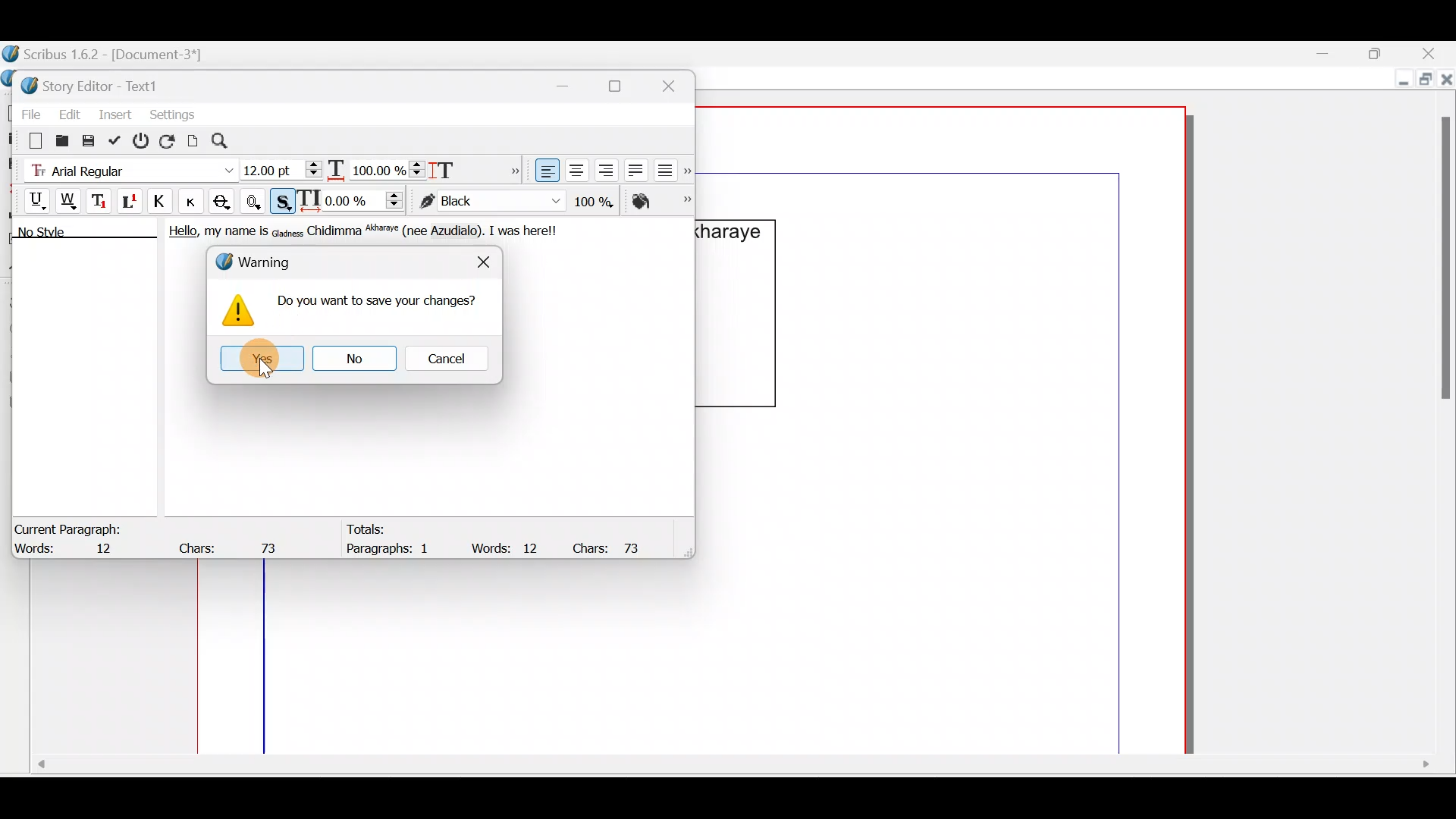  I want to click on Chars: 73, so click(613, 547).